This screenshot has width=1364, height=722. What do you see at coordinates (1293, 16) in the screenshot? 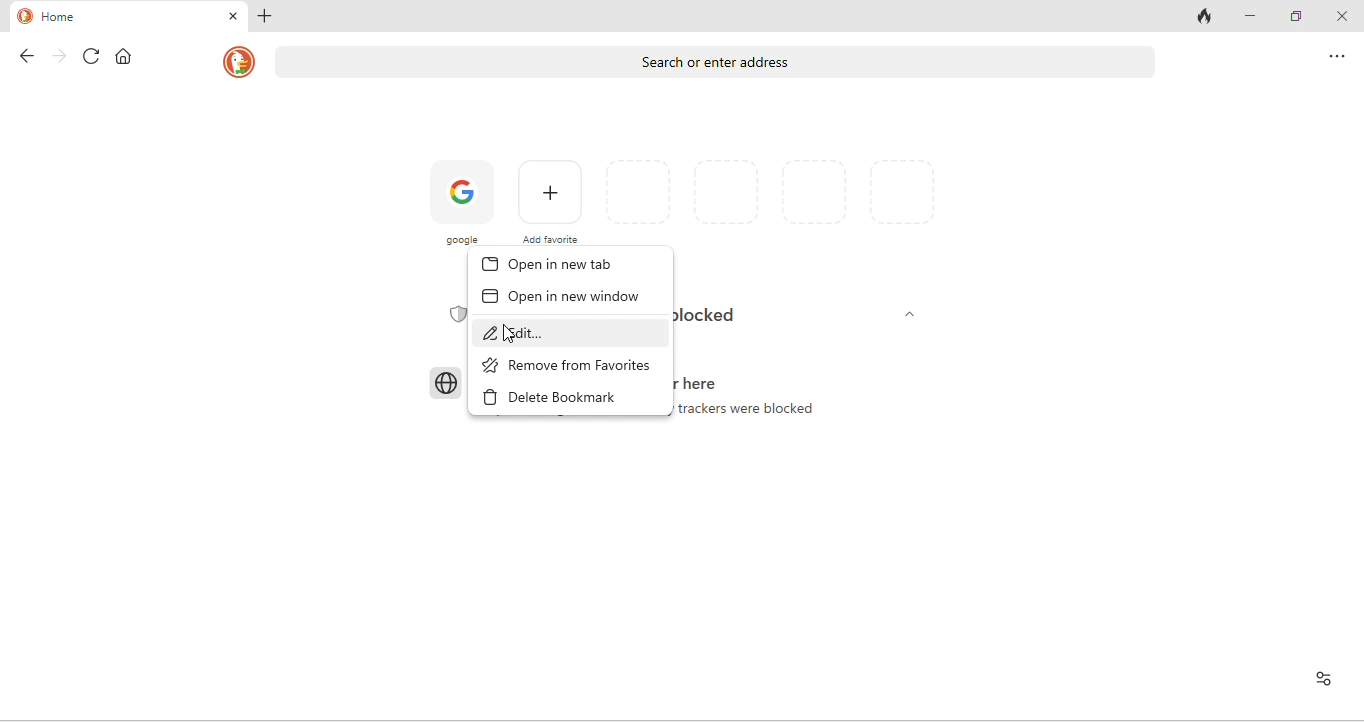
I see `maximize` at bounding box center [1293, 16].